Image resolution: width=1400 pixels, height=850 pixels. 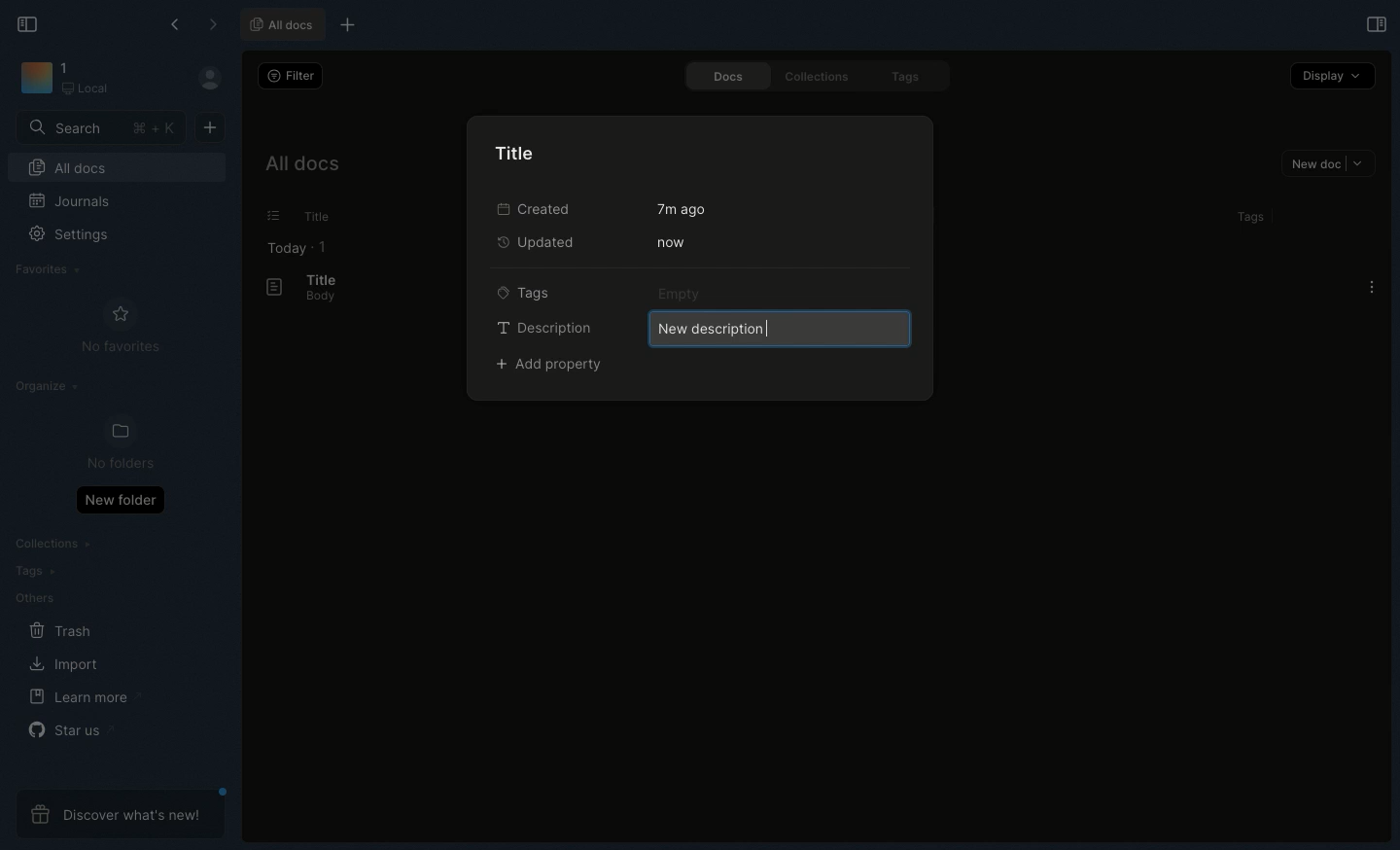 What do you see at coordinates (50, 389) in the screenshot?
I see `Organize` at bounding box center [50, 389].